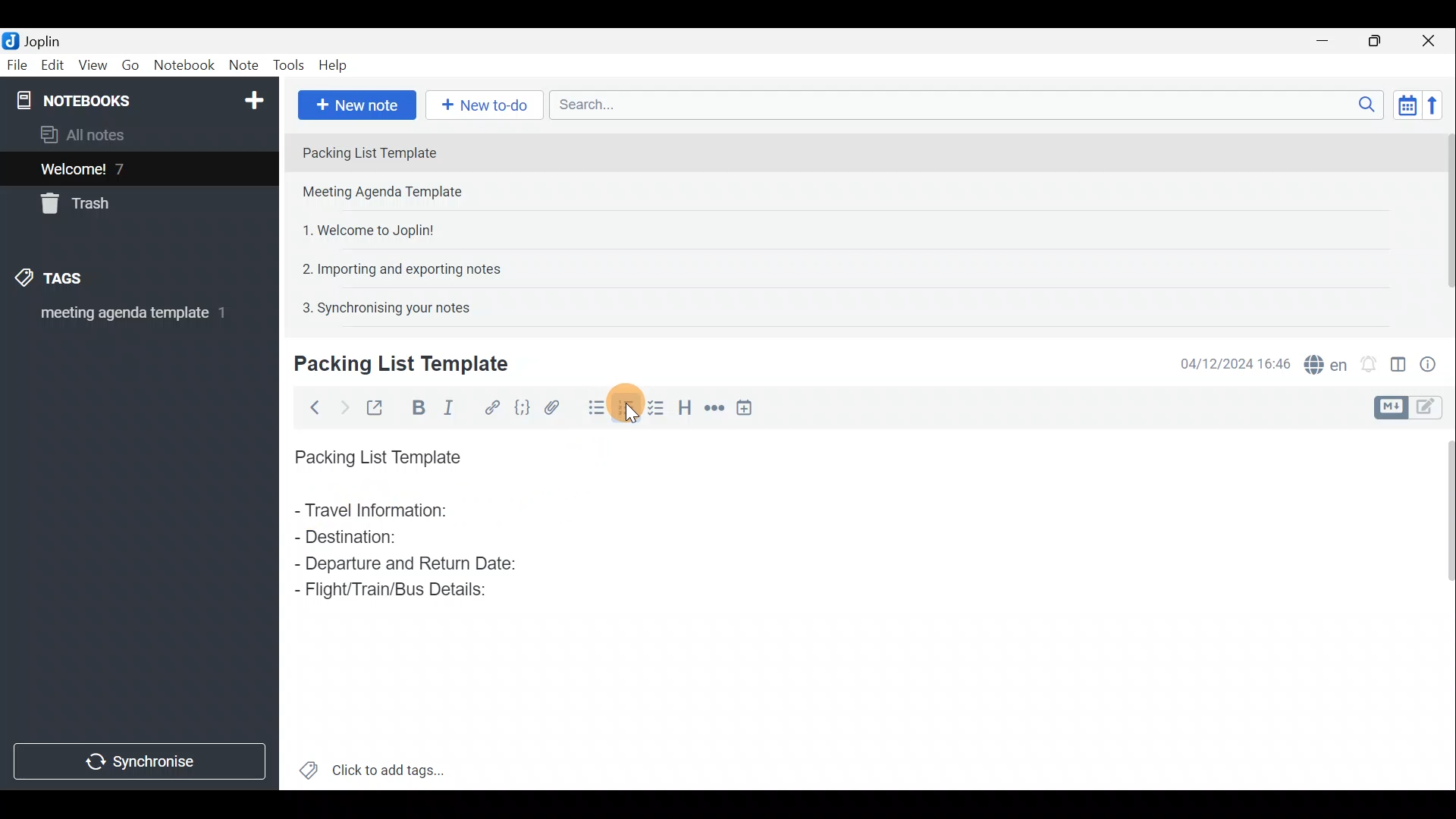 The width and height of the screenshot is (1456, 819). Describe the element at coordinates (356, 103) in the screenshot. I see `New note` at that location.